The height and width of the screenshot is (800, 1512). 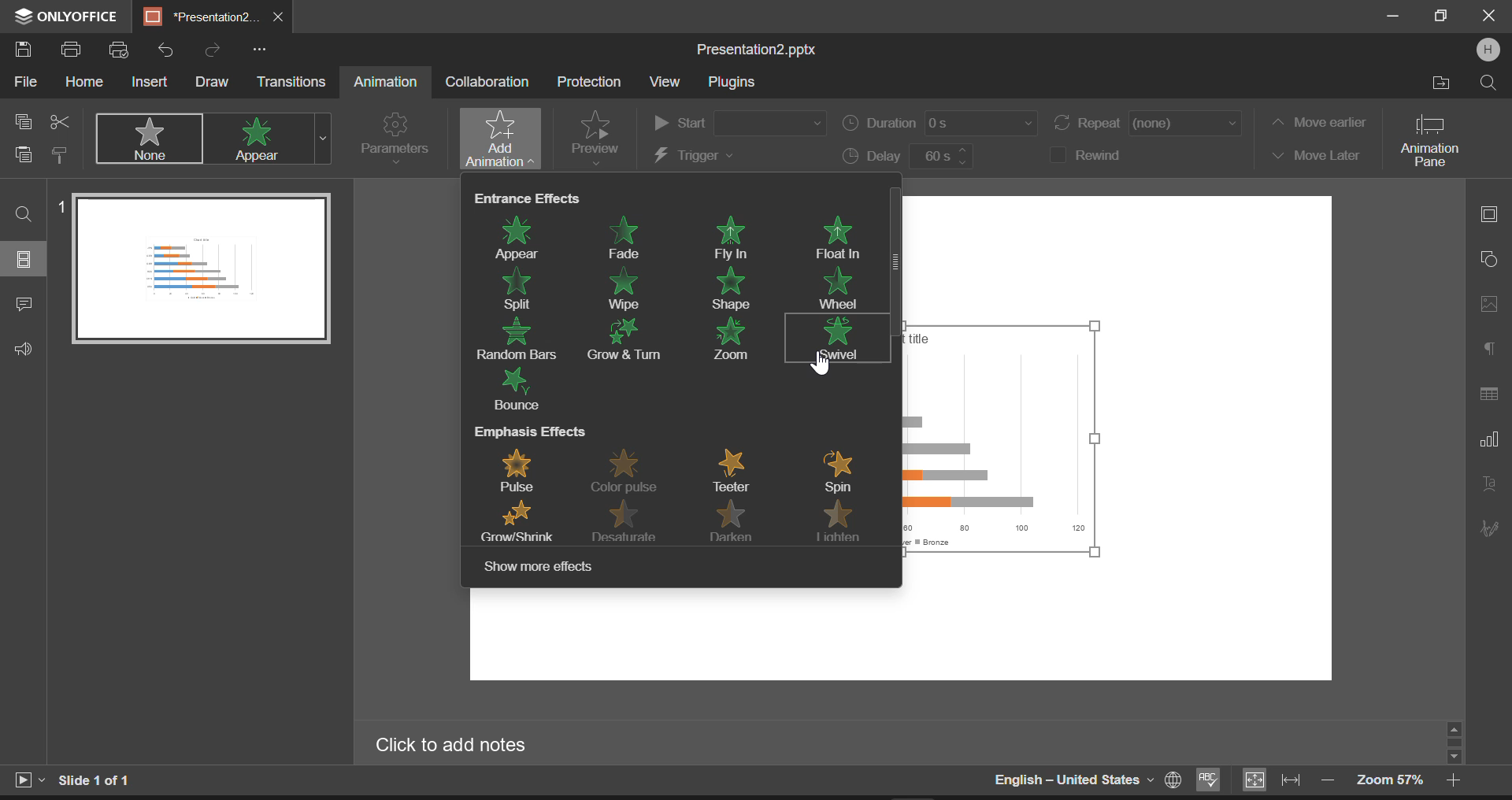 I want to click on Spellchecking, so click(x=1209, y=781).